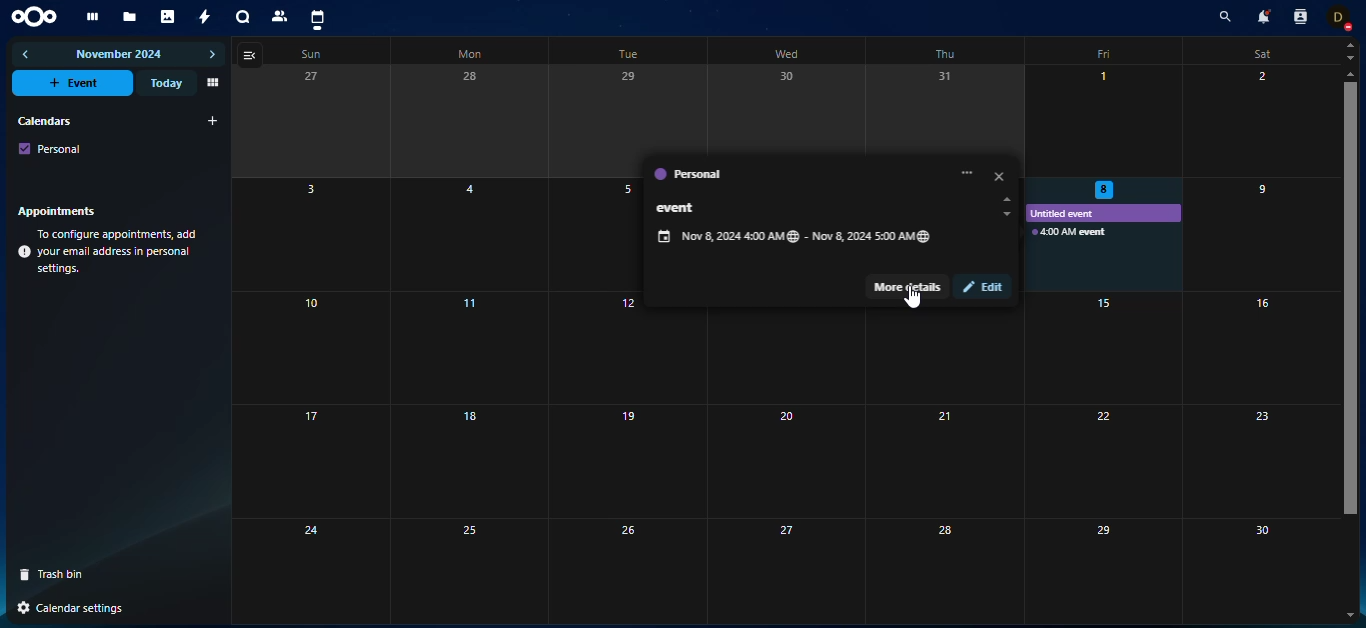  Describe the element at coordinates (1349, 74) in the screenshot. I see `up` at that location.